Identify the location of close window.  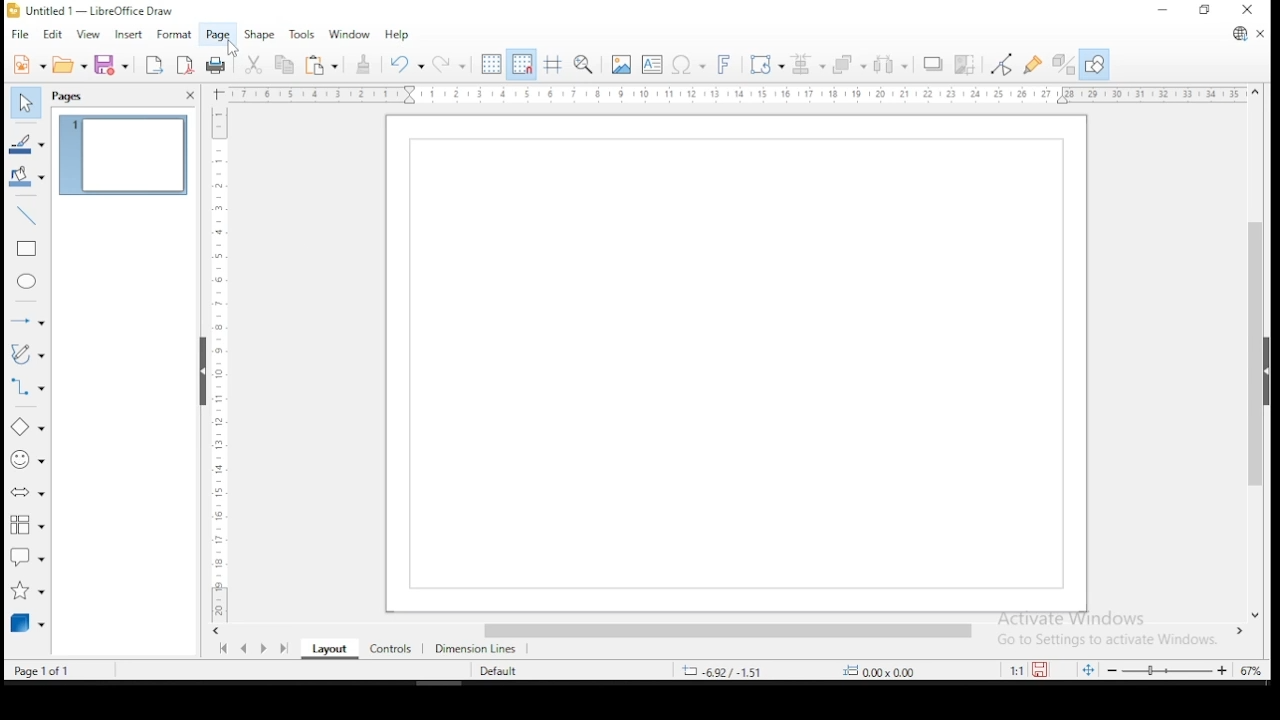
(1250, 12).